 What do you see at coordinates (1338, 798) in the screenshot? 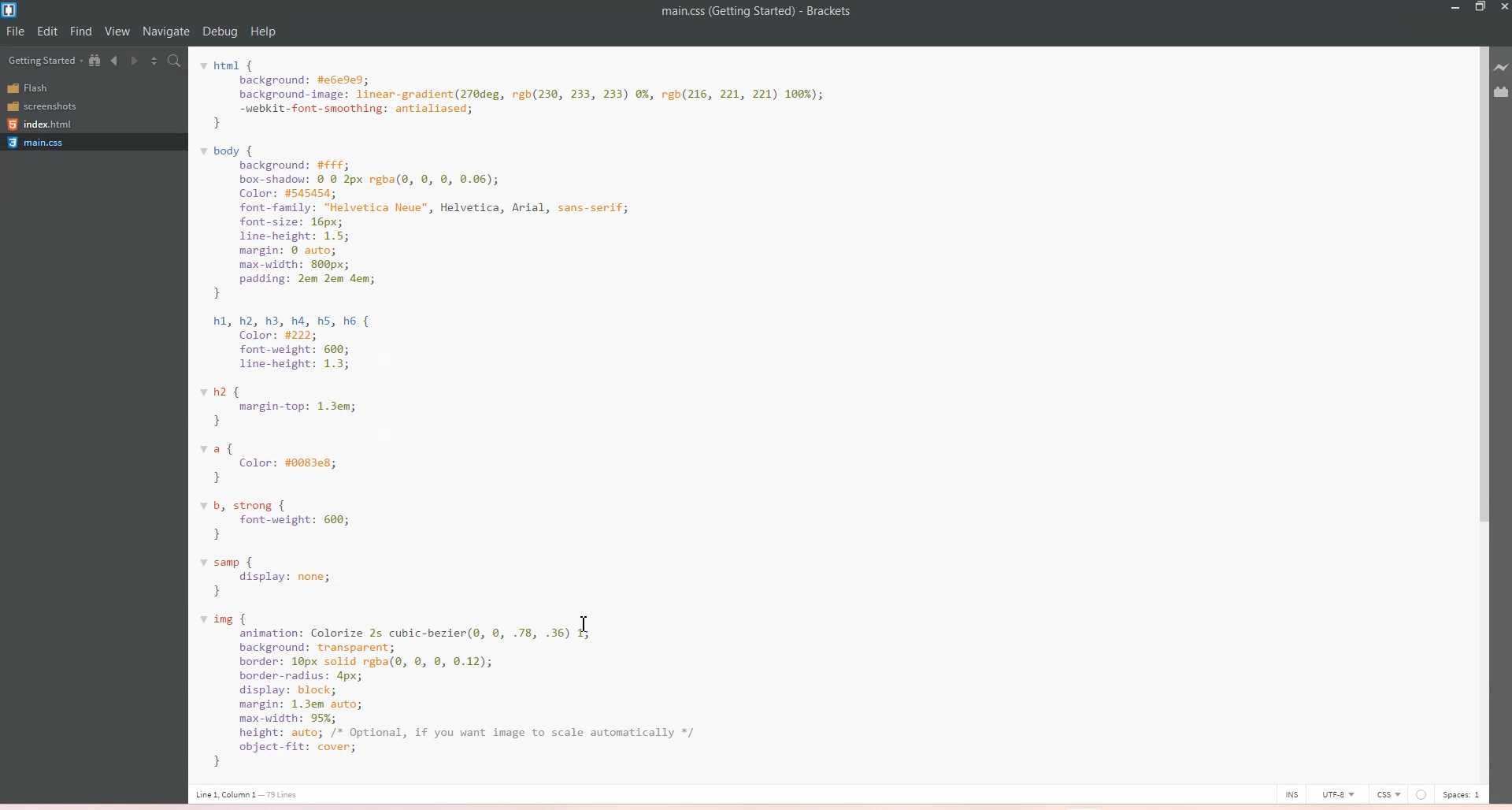
I see `UTF-8` at bounding box center [1338, 798].